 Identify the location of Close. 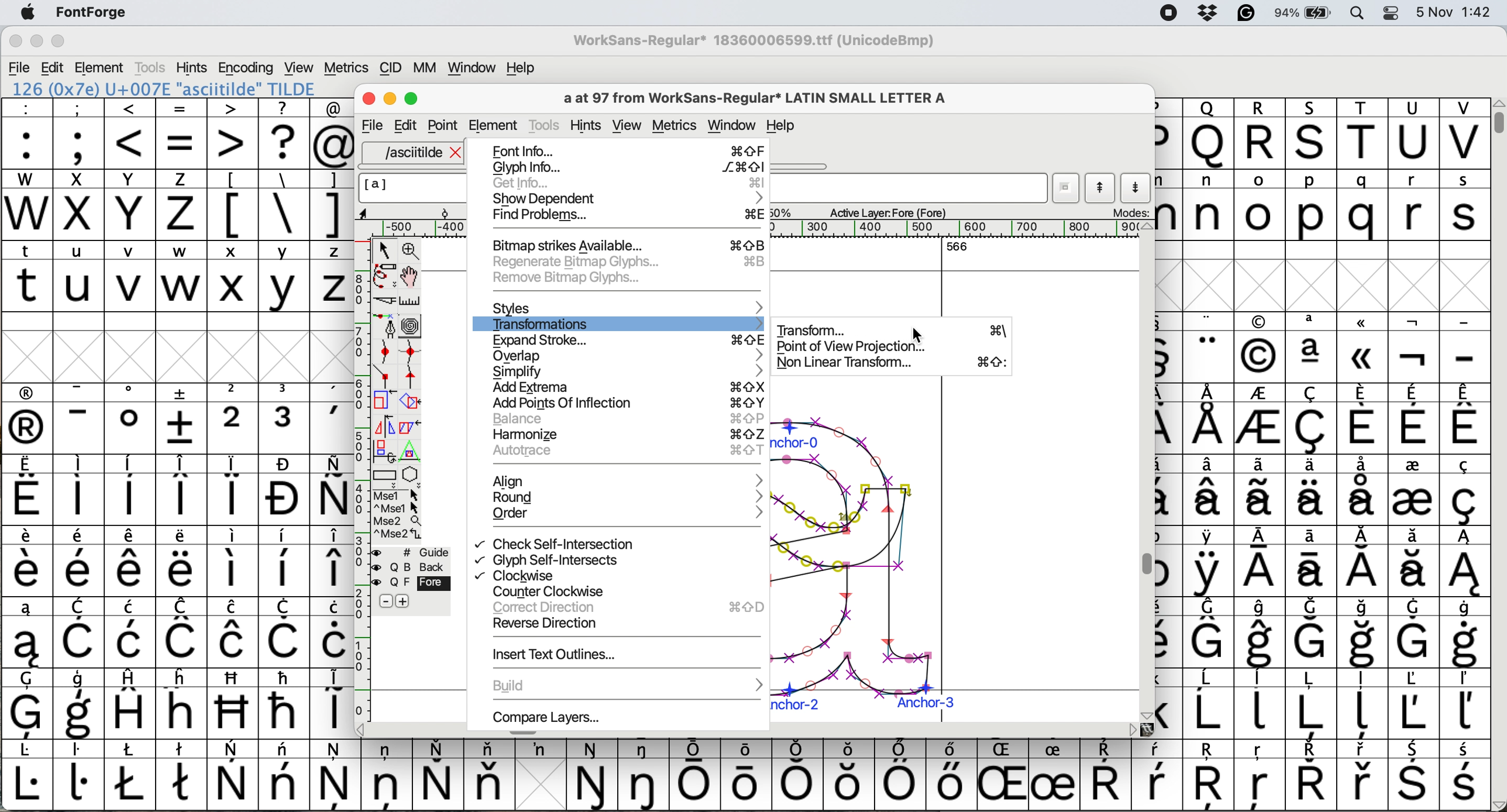
(370, 99).